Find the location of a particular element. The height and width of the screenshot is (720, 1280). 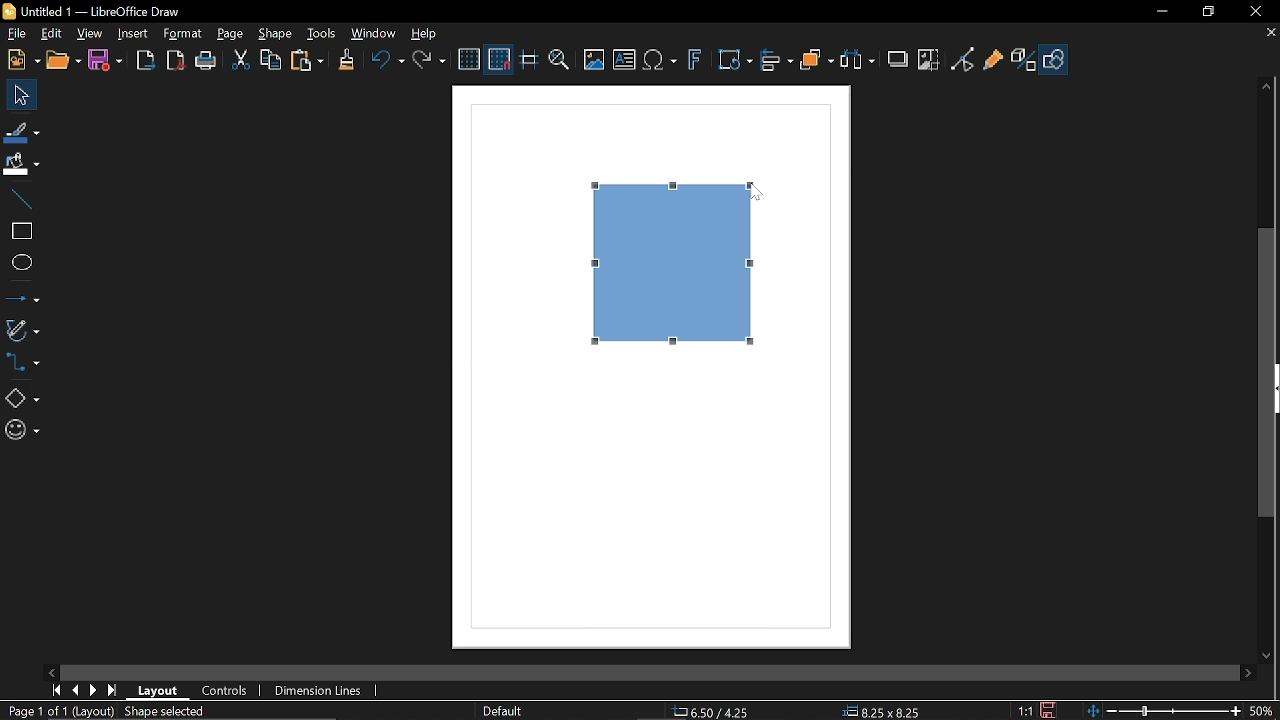

Minimize is located at coordinates (1160, 11).